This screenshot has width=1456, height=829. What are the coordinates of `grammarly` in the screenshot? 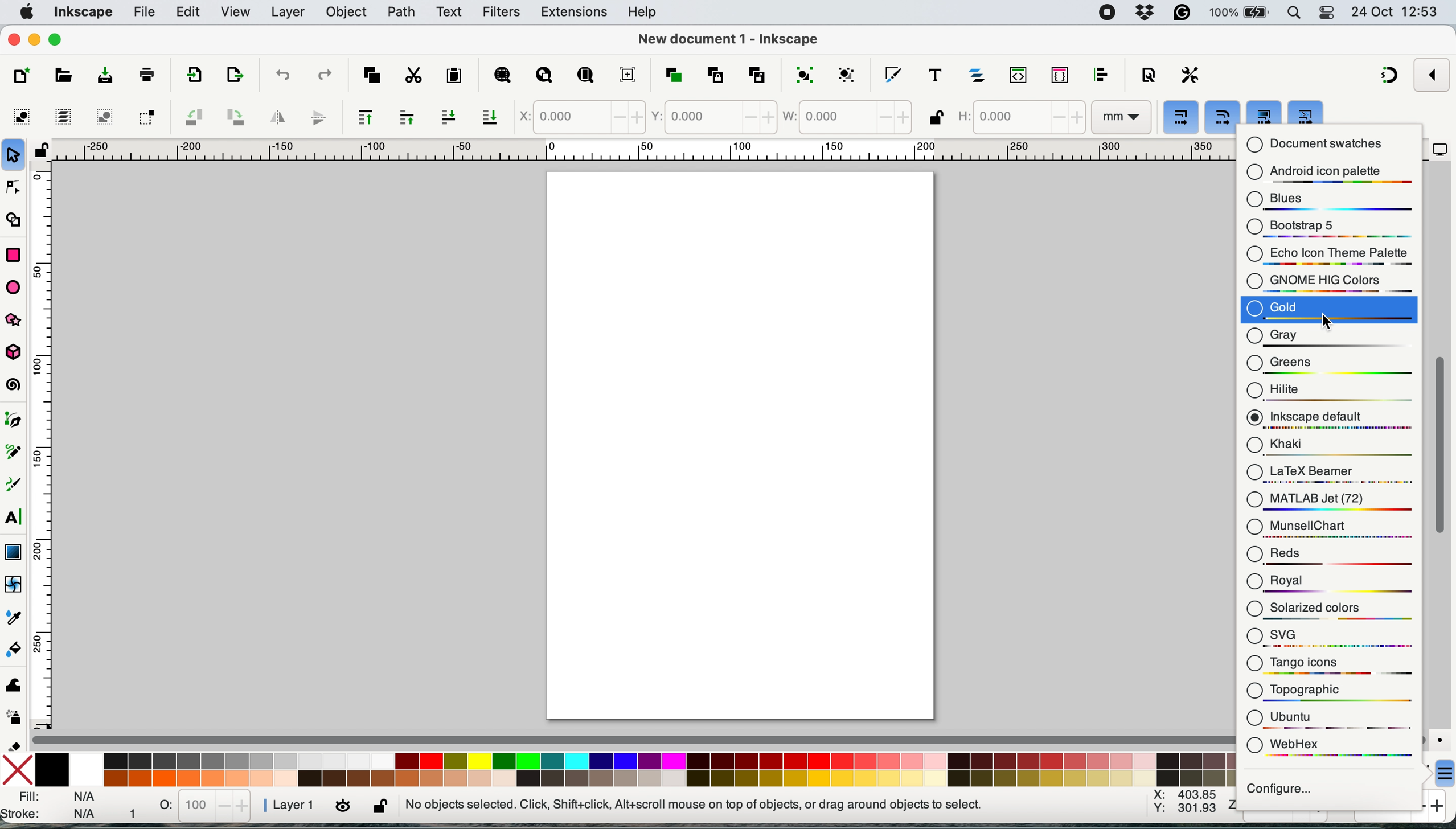 It's located at (1180, 15).